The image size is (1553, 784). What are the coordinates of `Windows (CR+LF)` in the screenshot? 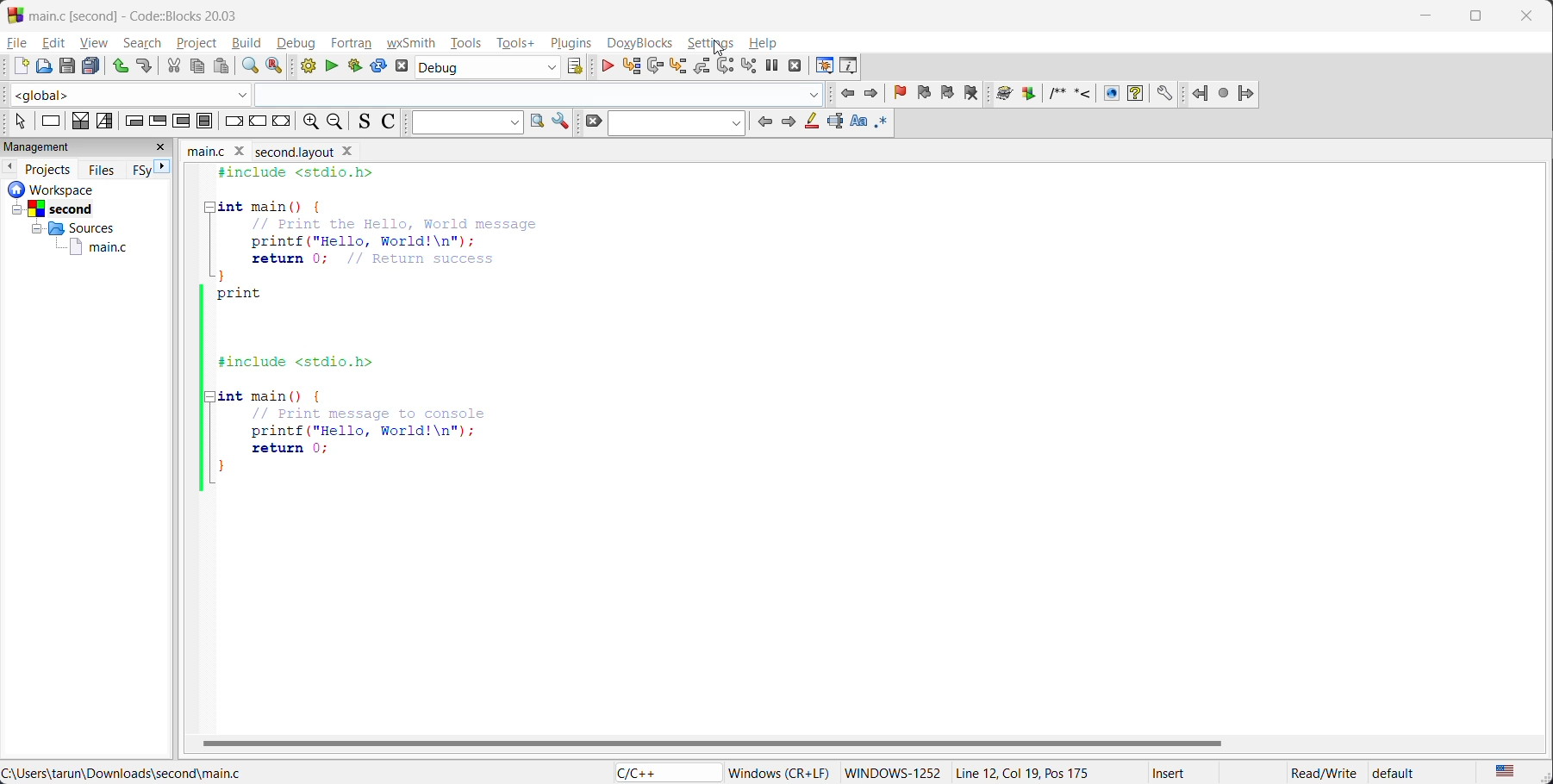 It's located at (777, 769).